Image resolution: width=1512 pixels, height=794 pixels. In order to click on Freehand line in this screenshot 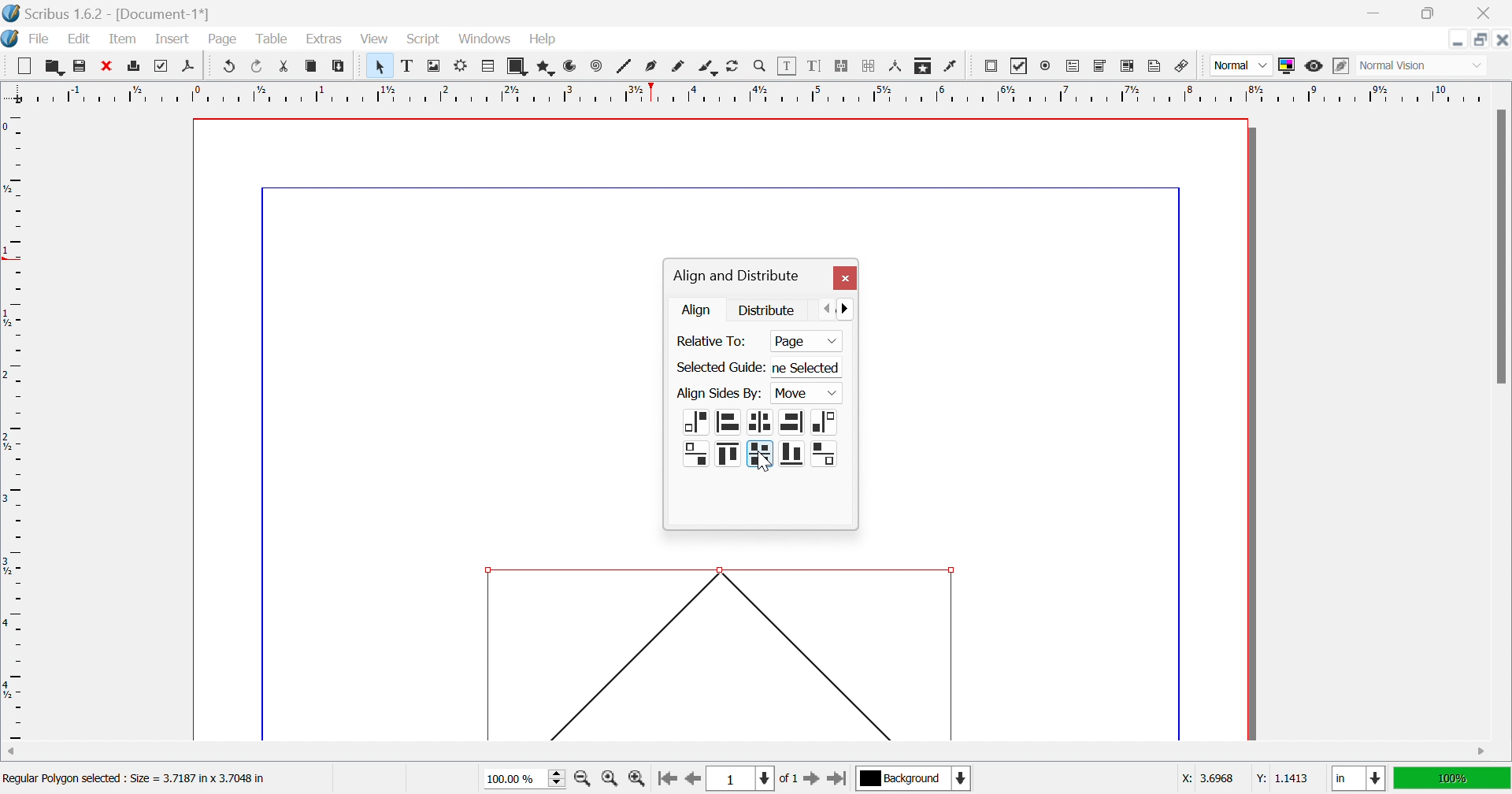, I will do `click(678, 67)`.